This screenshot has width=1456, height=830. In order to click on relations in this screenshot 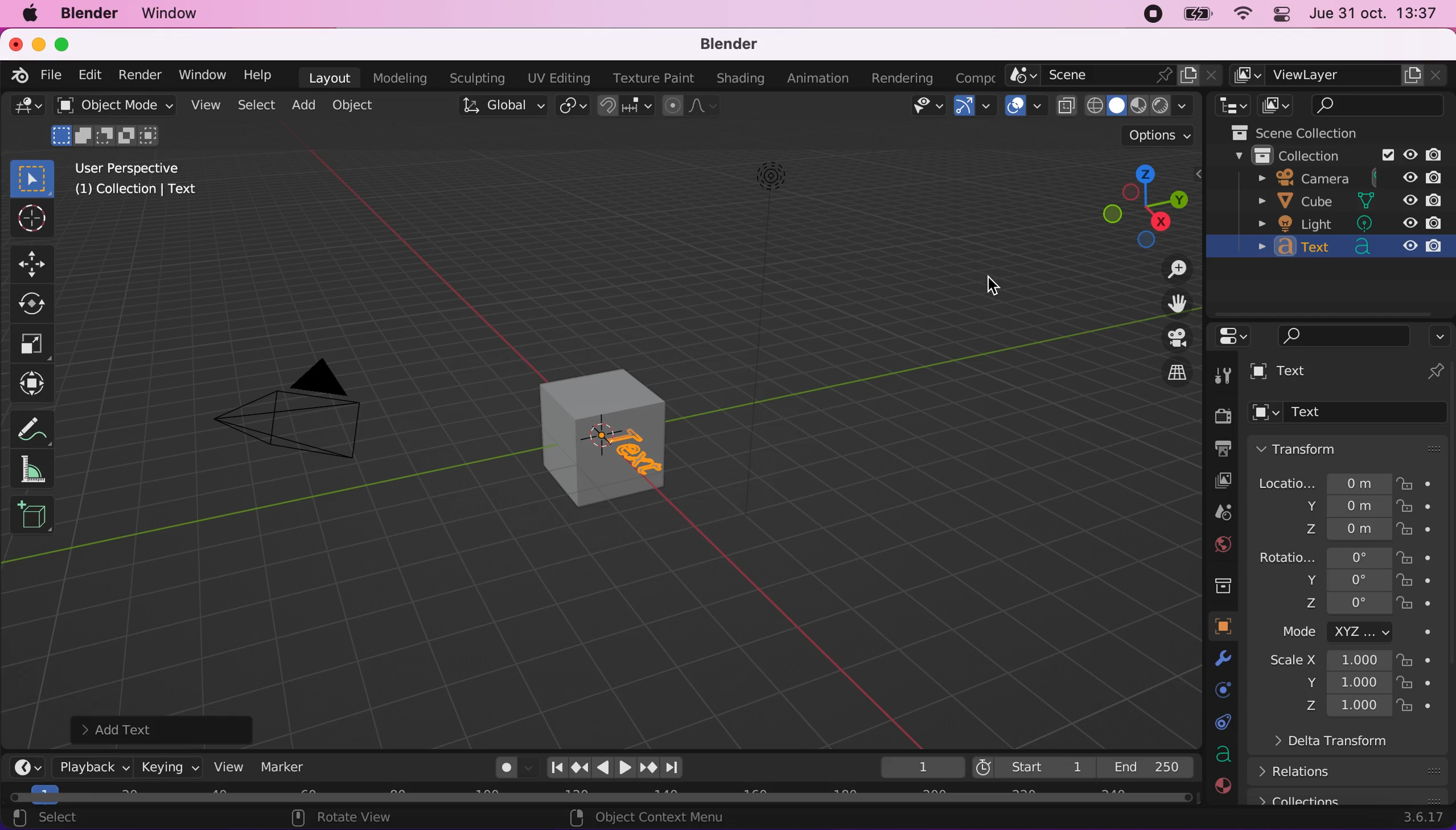, I will do `click(1351, 772)`.